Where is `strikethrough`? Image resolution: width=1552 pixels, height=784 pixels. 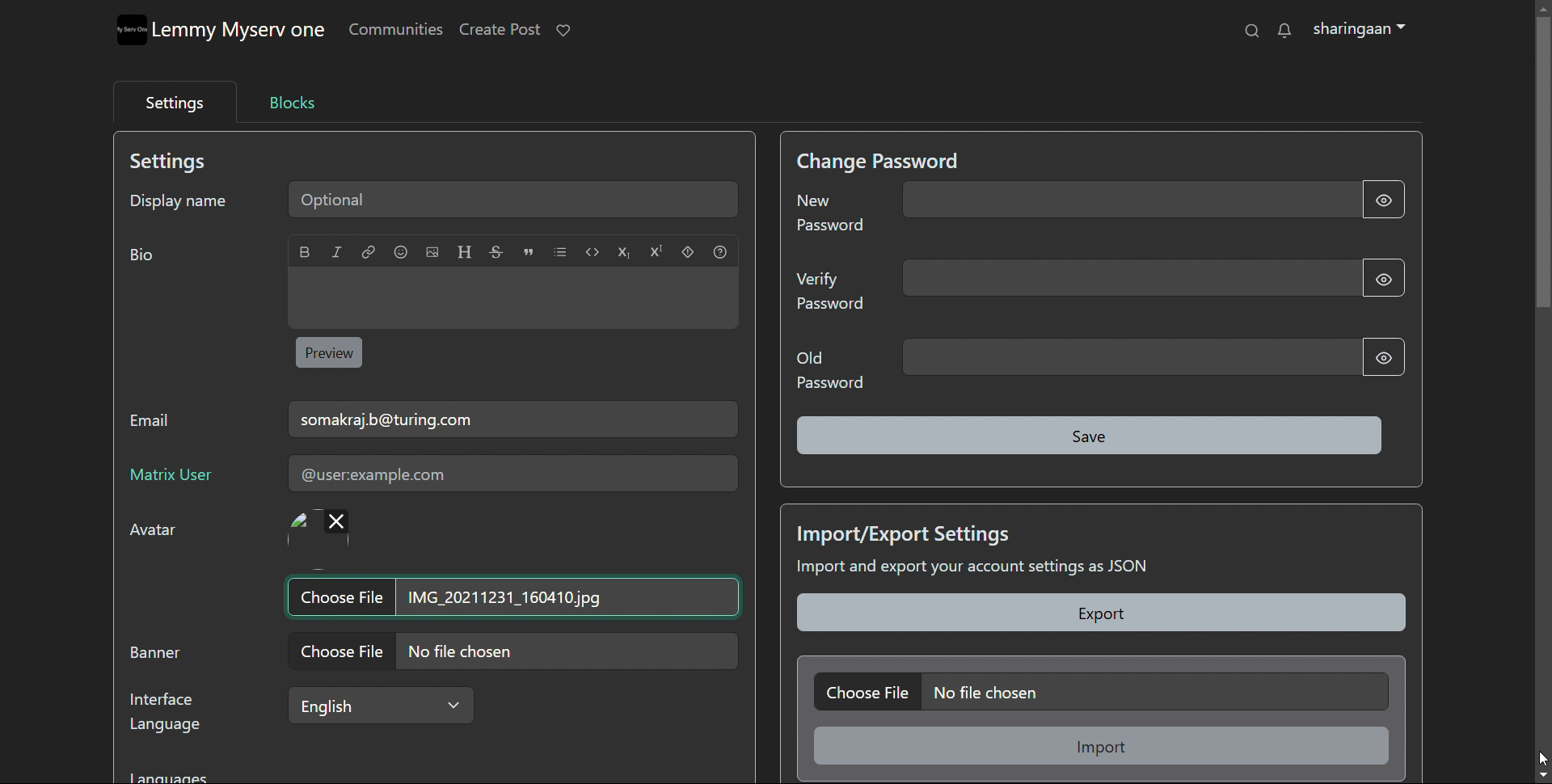 strikethrough is located at coordinates (496, 251).